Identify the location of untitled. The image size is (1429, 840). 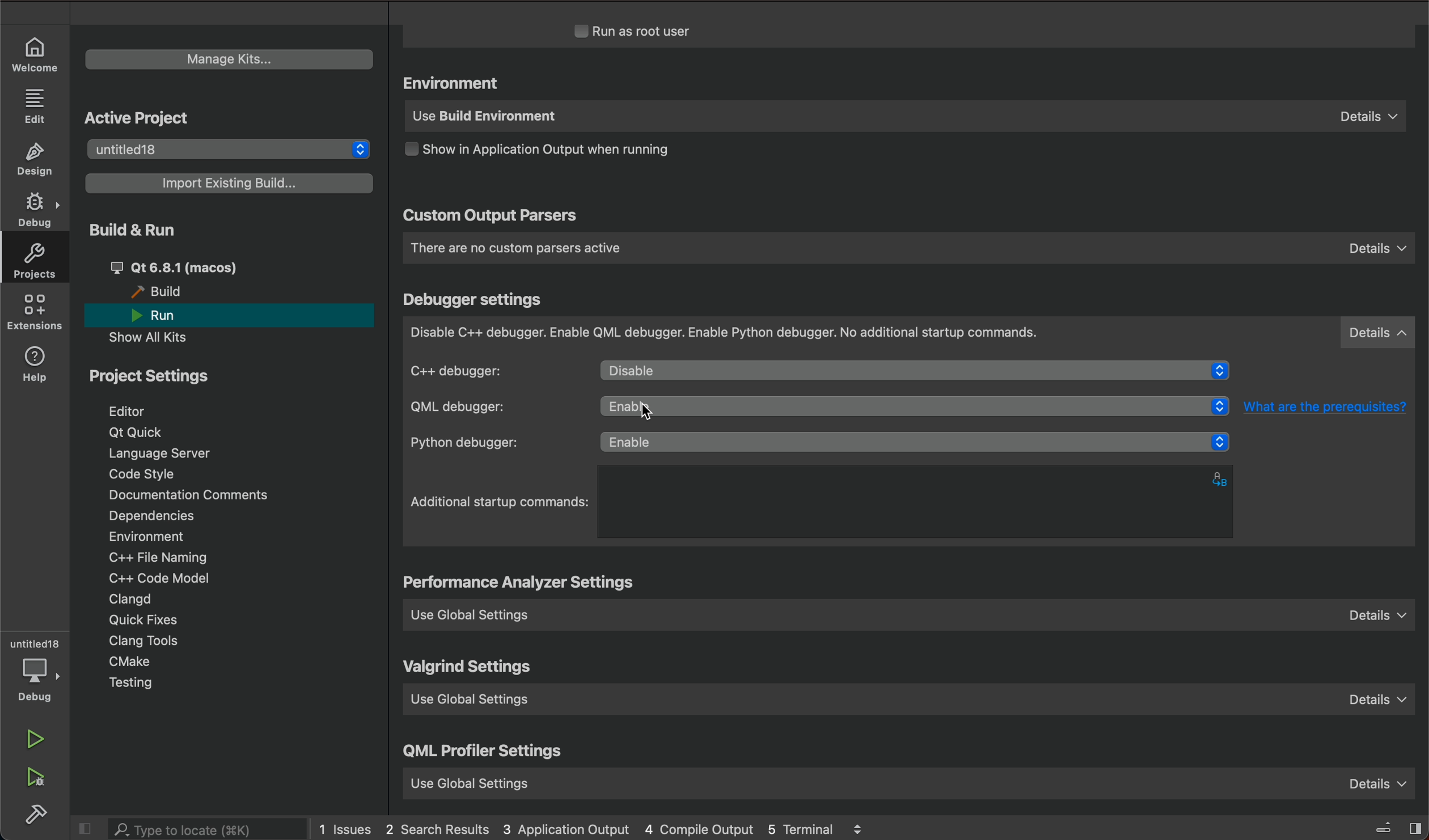
(225, 147).